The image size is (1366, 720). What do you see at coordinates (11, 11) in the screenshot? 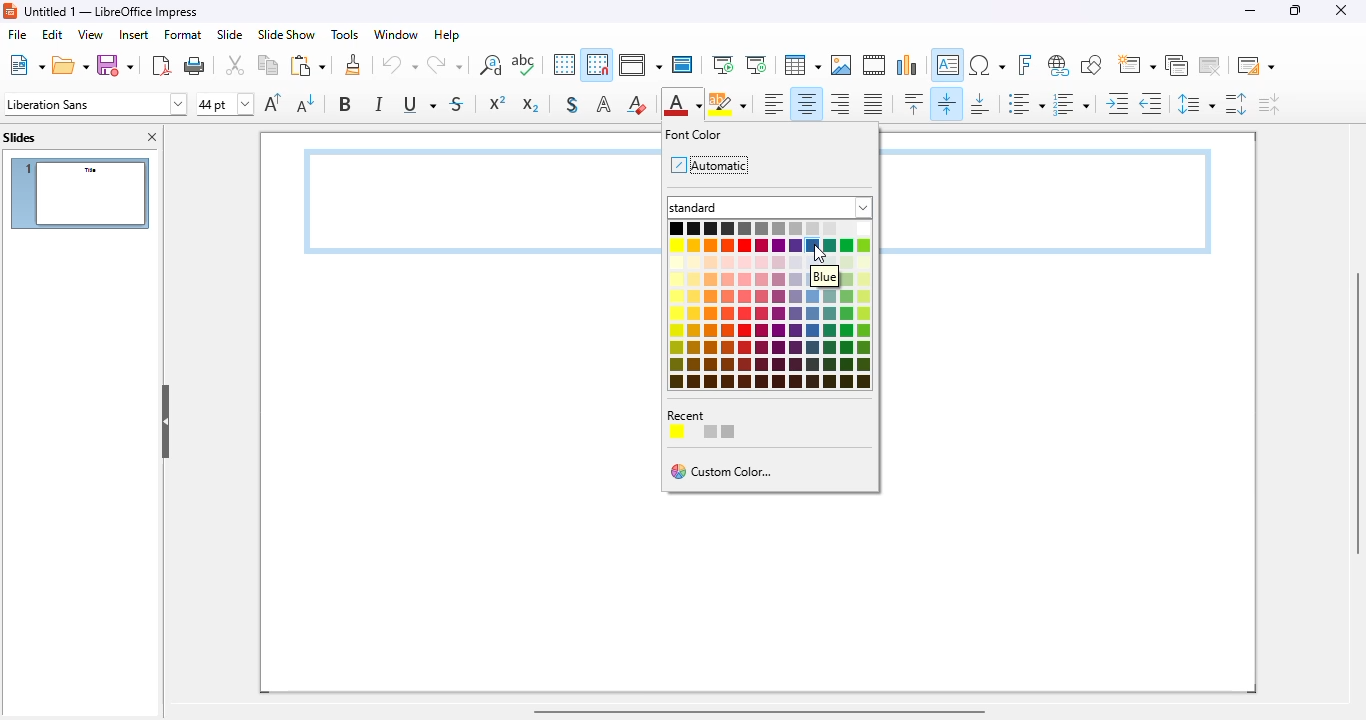
I see `logo` at bounding box center [11, 11].